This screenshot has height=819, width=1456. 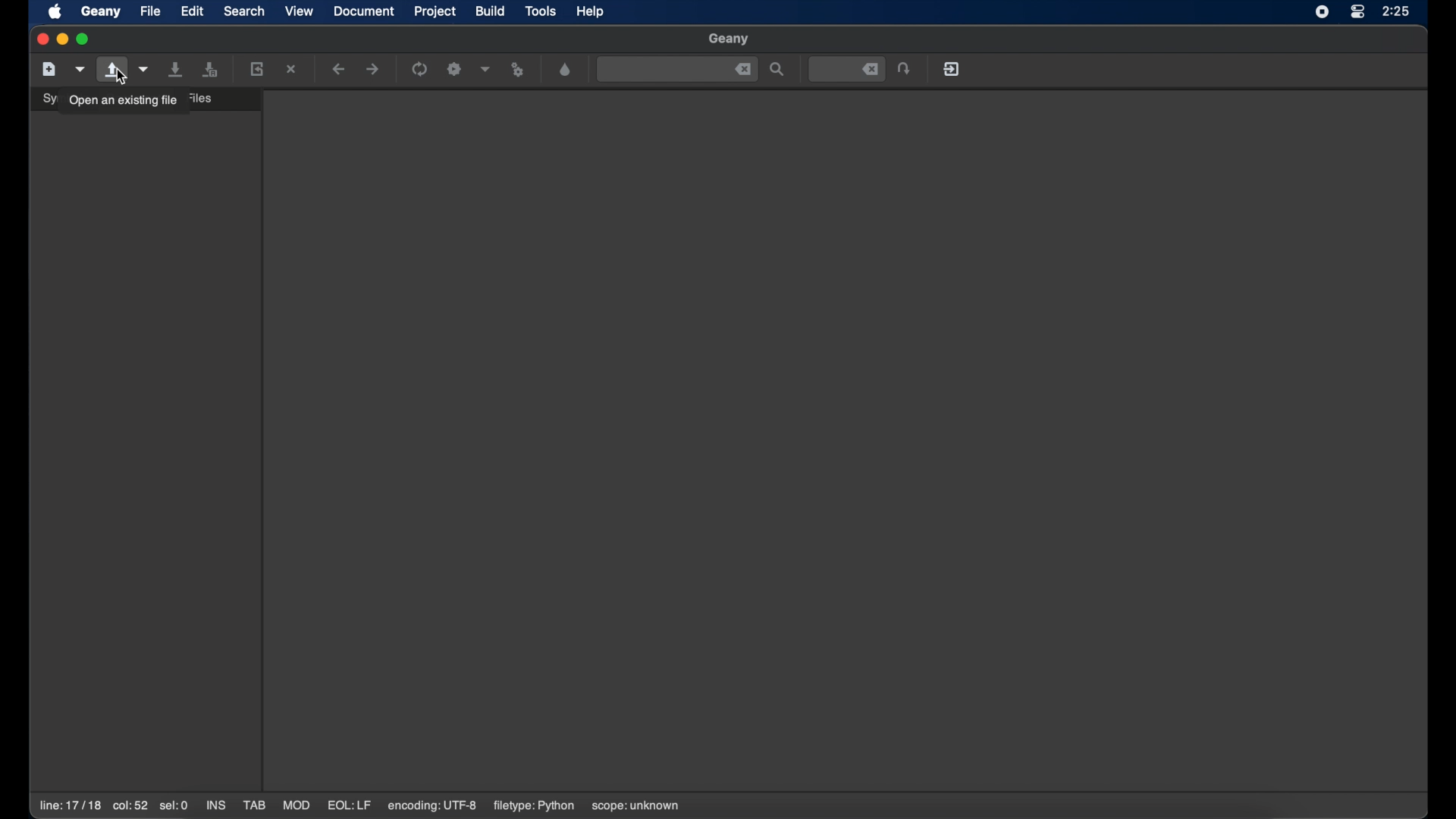 What do you see at coordinates (906, 68) in the screenshot?
I see `jump the entered line number` at bounding box center [906, 68].